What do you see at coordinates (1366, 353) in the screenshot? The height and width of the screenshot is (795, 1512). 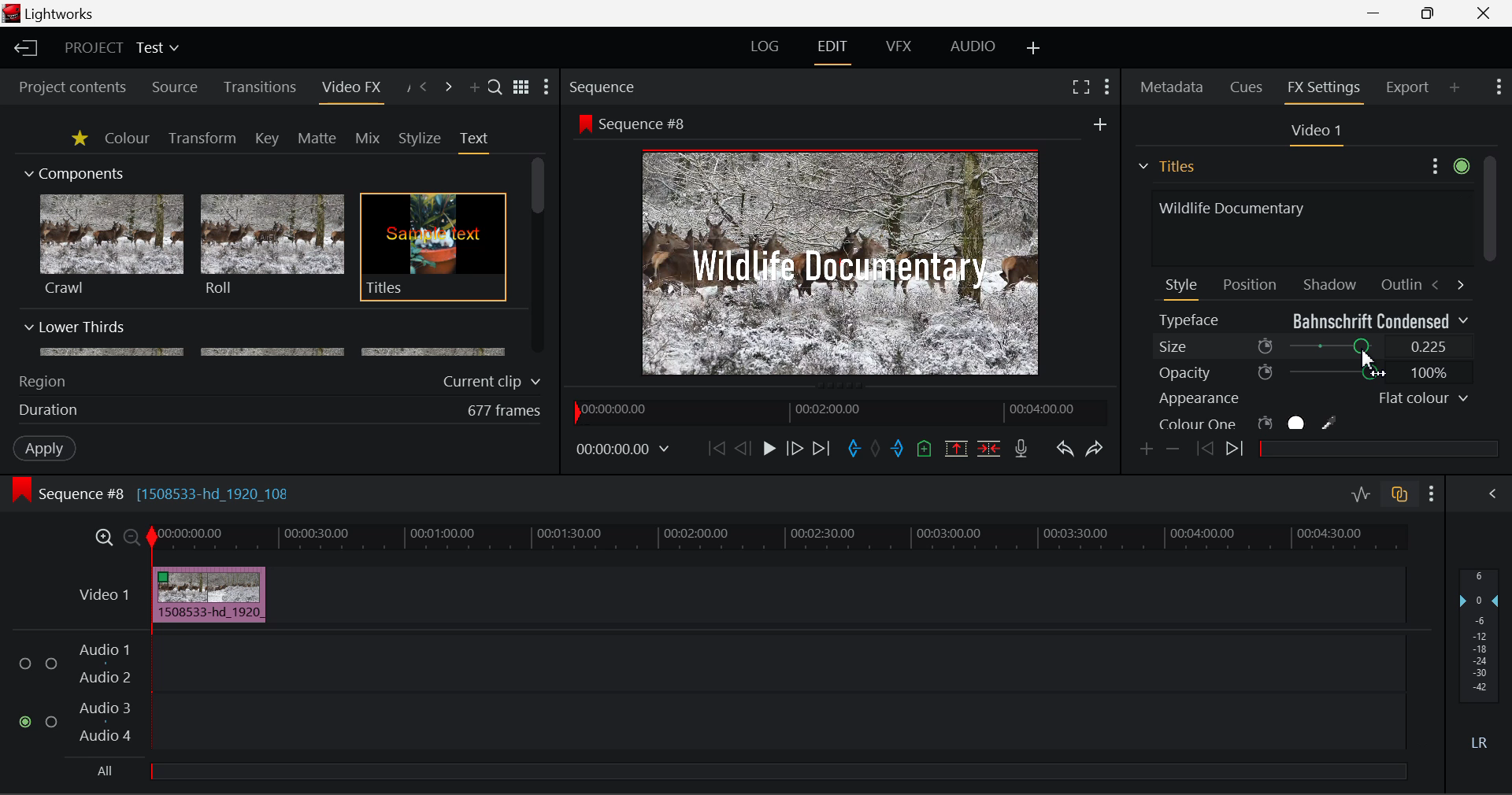 I see `MOUSE_UP Cursor Position` at bounding box center [1366, 353].